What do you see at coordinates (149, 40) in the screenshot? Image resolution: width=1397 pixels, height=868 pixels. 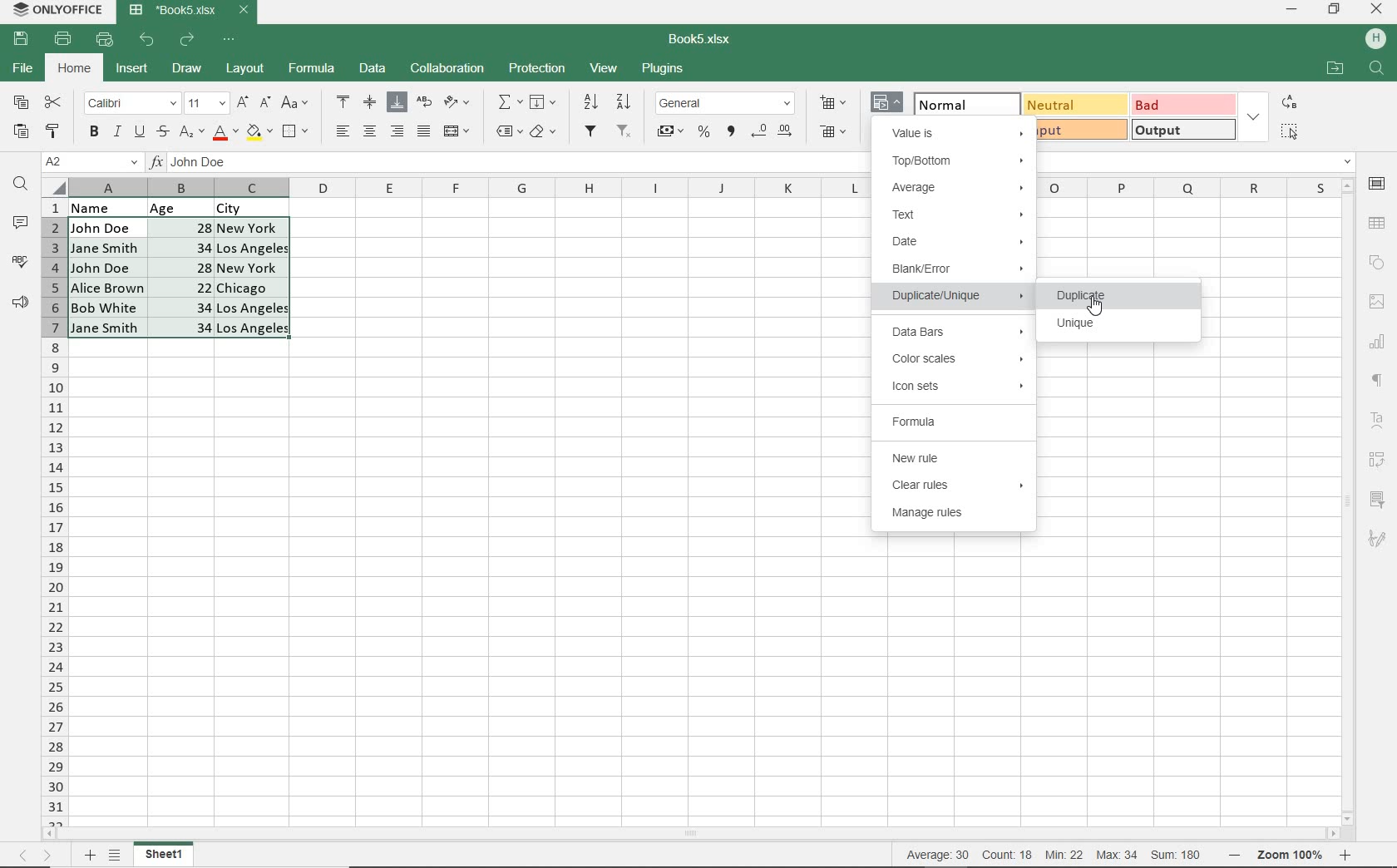 I see `UNDO` at bounding box center [149, 40].